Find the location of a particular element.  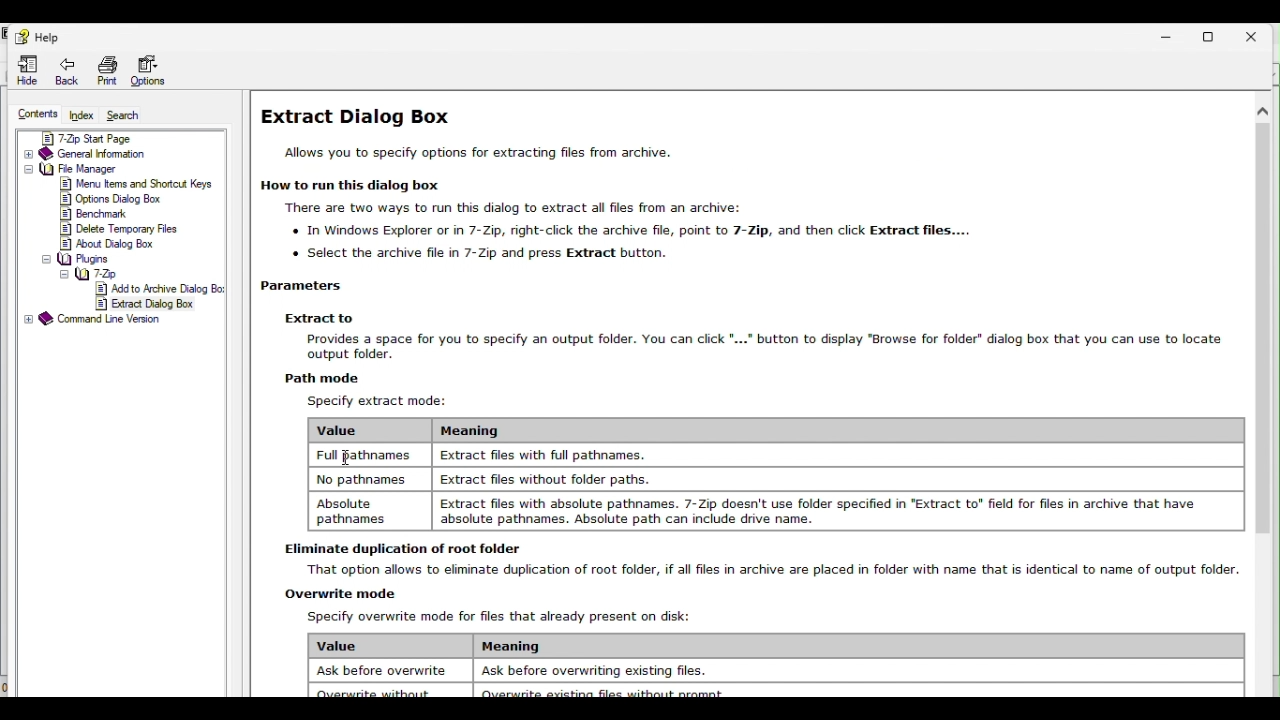

search is located at coordinates (131, 117).